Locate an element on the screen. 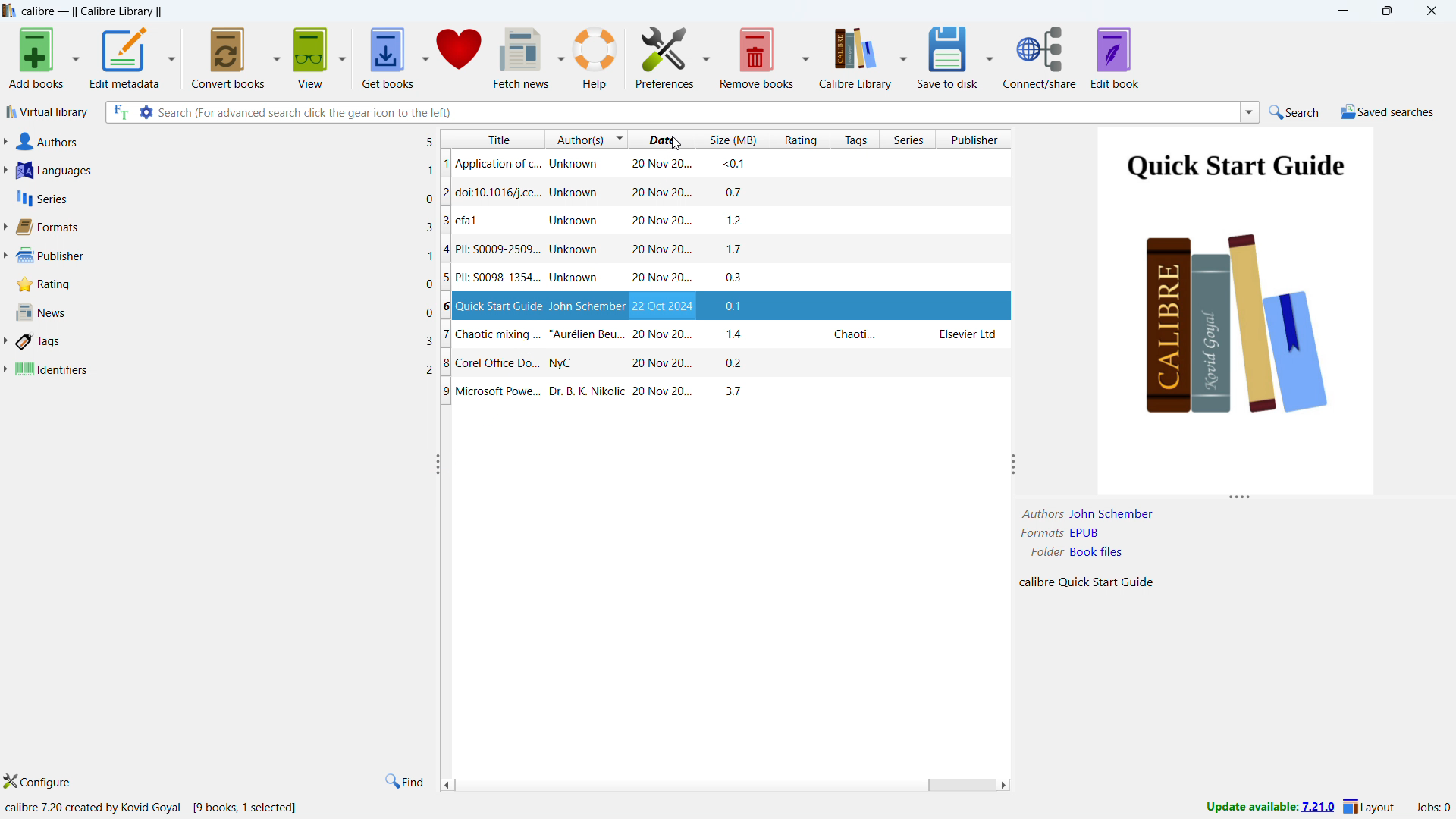 Image resolution: width=1456 pixels, height=819 pixels. Folder is located at coordinates (1046, 552).